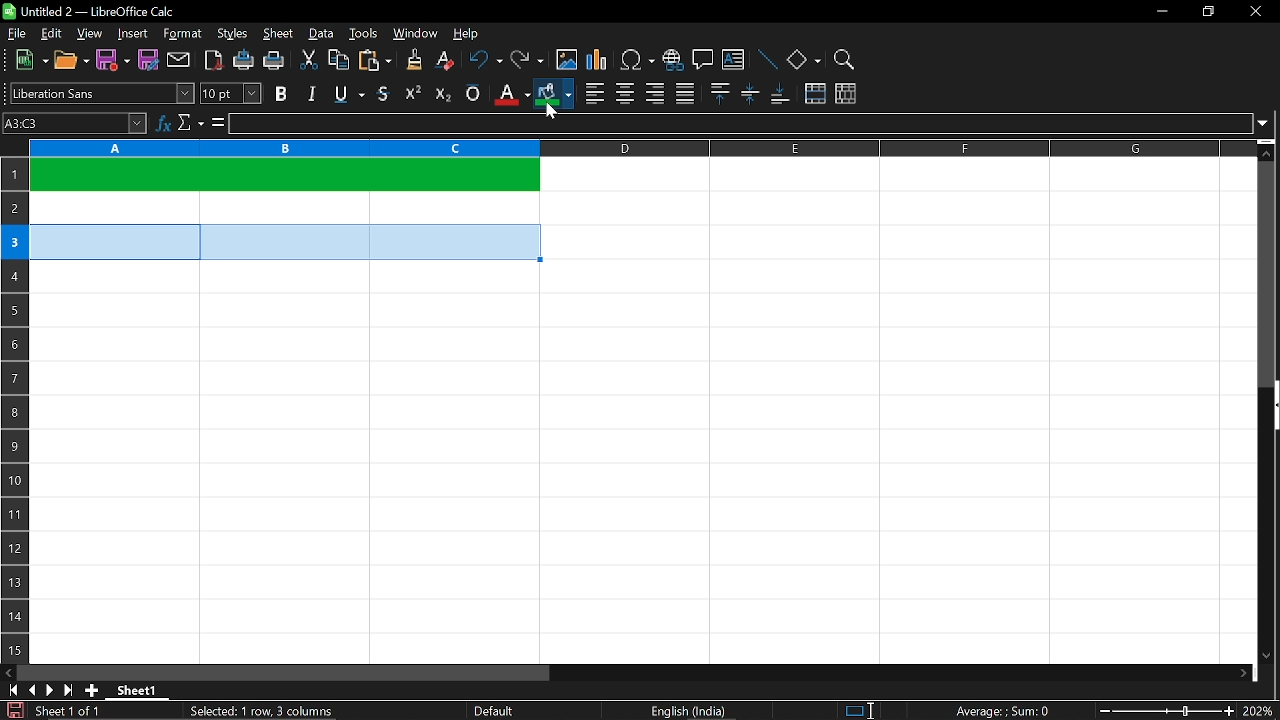  Describe the element at coordinates (690, 711) in the screenshot. I see `English (India)` at that location.